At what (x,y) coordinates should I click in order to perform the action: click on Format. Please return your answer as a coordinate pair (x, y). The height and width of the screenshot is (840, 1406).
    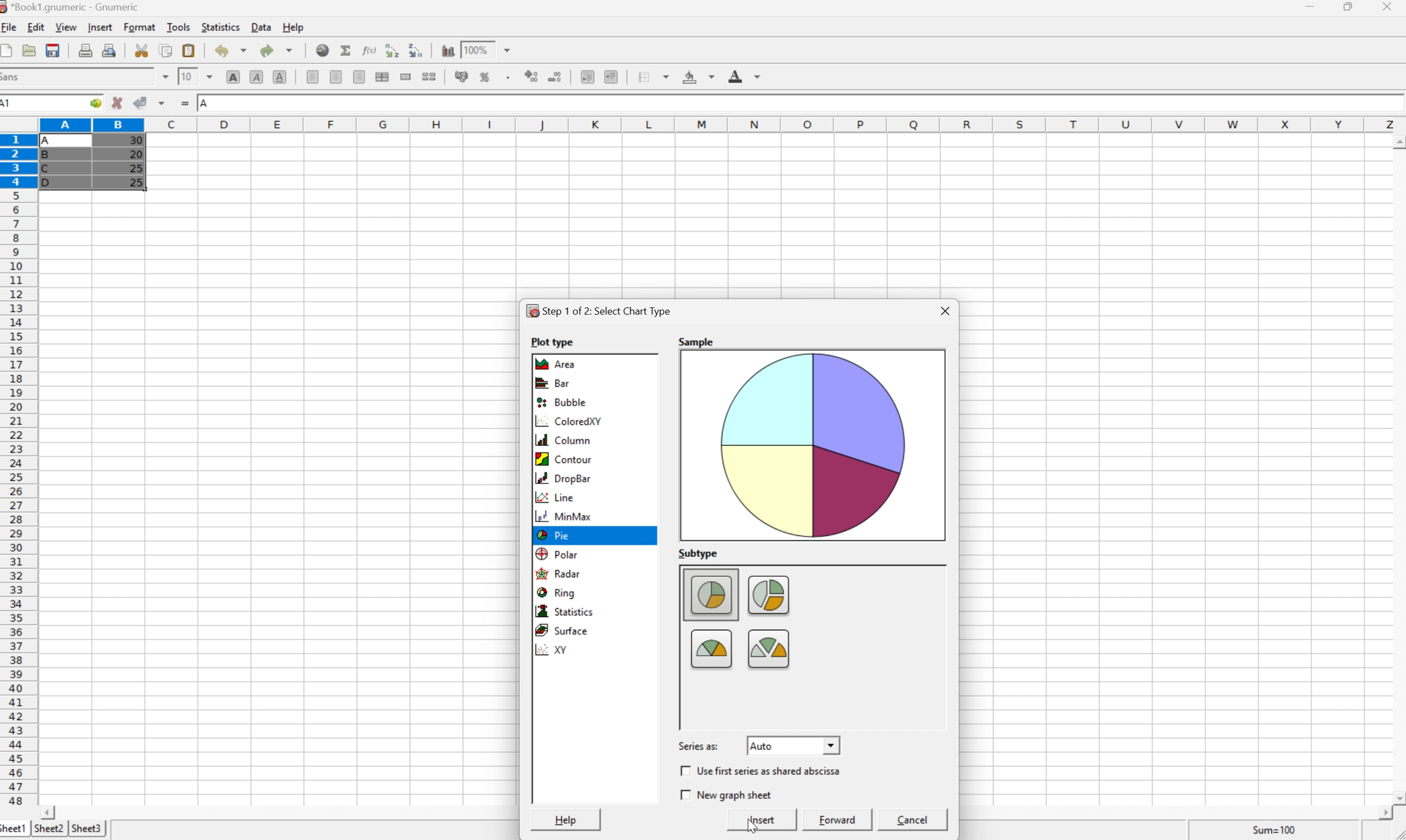
    Looking at the image, I should click on (140, 28).